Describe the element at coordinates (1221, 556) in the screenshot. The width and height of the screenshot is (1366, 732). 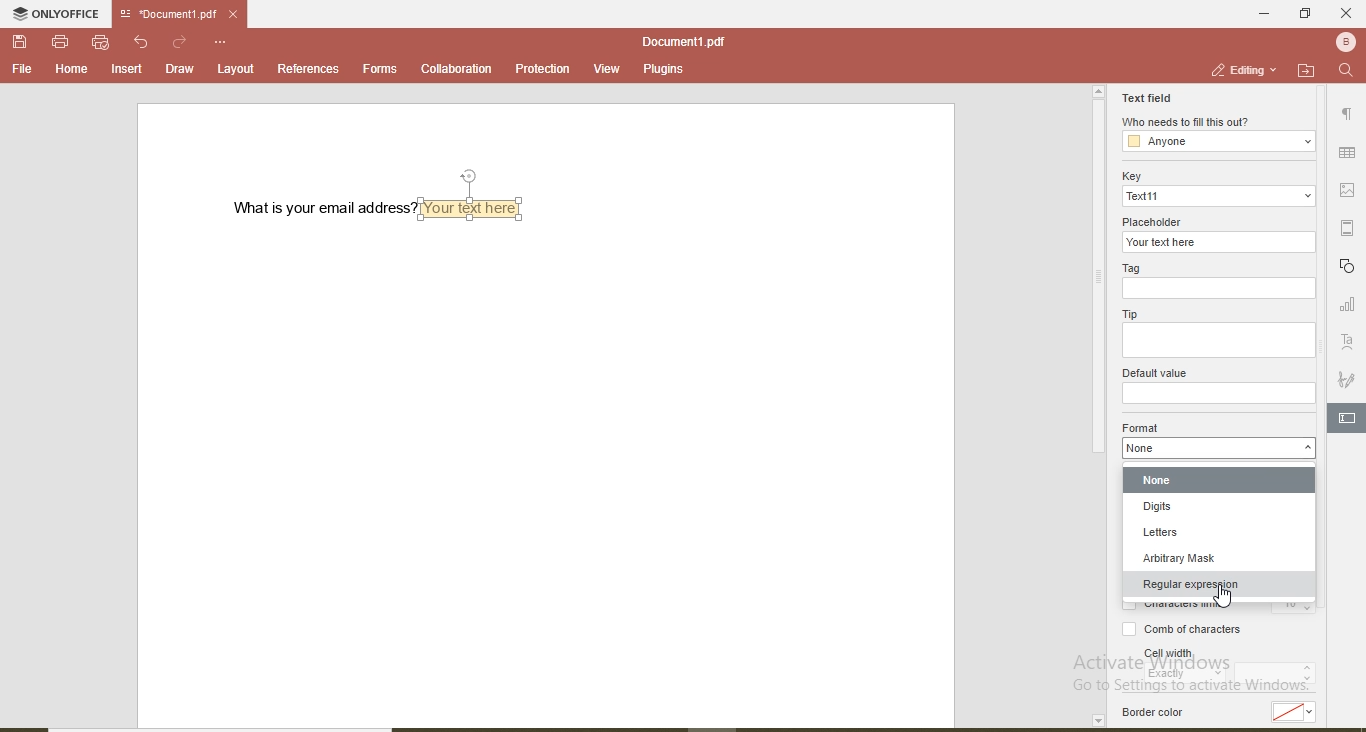
I see `Arbitrary Mask` at that location.